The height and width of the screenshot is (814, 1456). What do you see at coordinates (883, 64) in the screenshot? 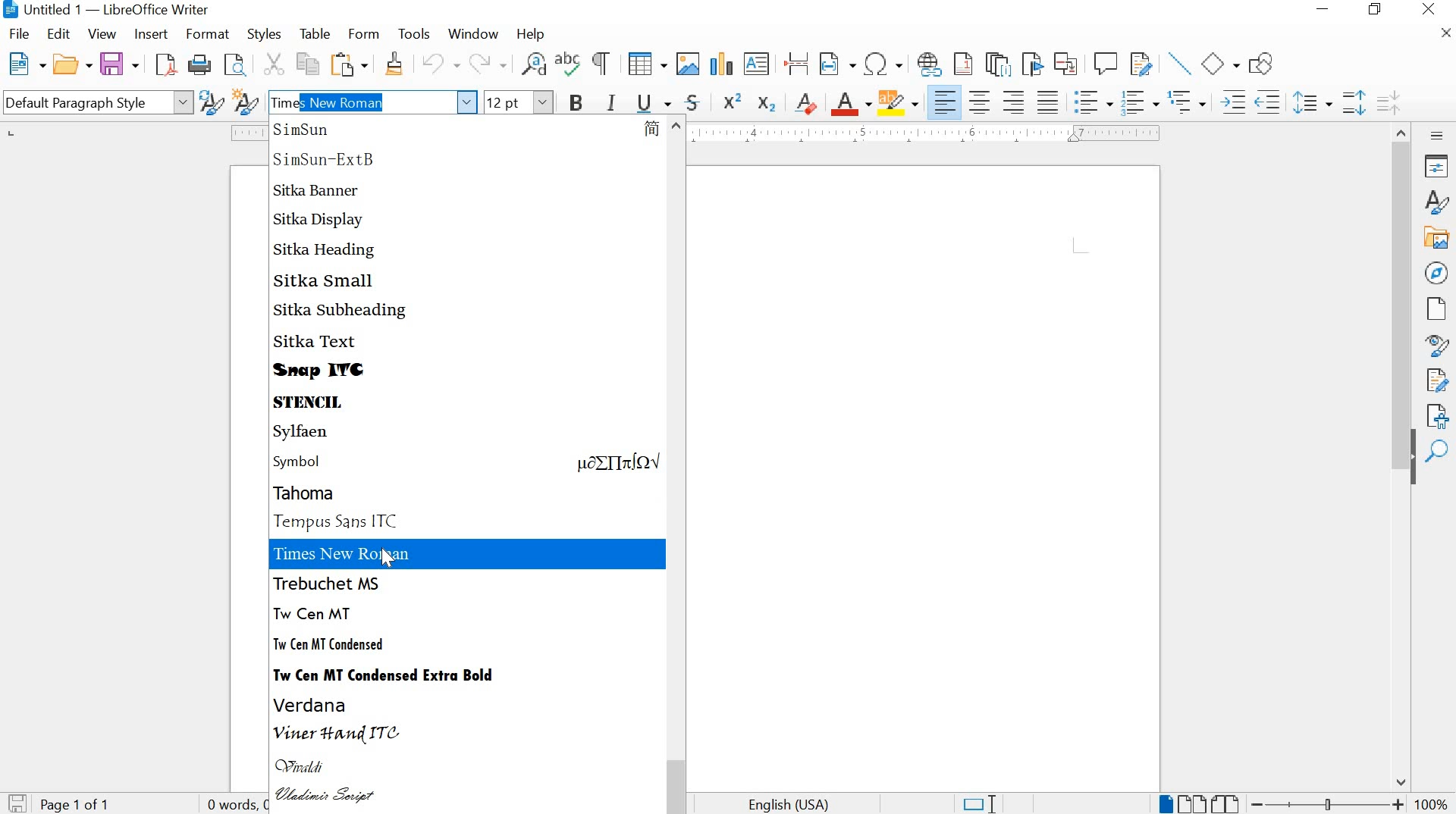
I see `INSERT SPECIAL CHARACTERS` at bounding box center [883, 64].